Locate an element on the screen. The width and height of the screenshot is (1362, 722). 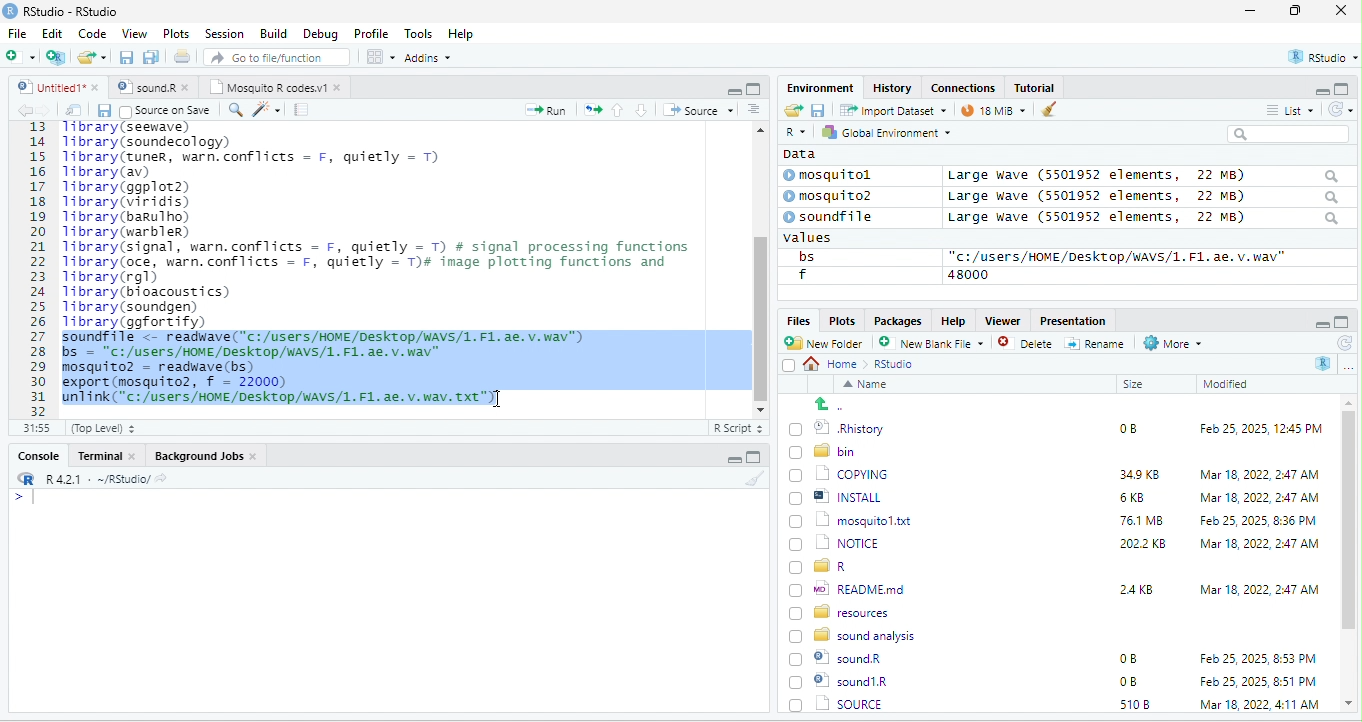
Console is located at coordinates (37, 454).